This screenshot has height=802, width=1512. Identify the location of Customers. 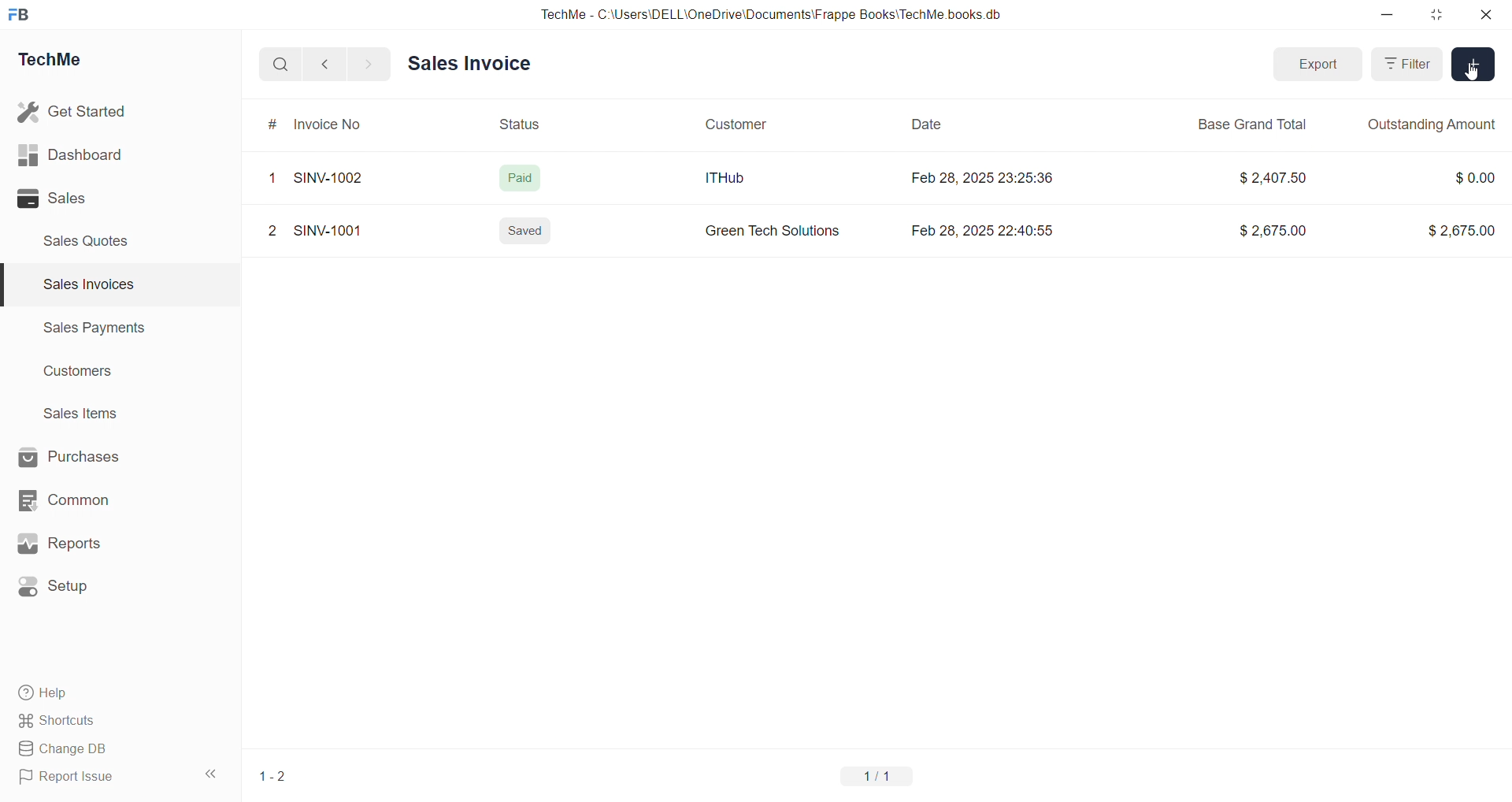
(87, 375).